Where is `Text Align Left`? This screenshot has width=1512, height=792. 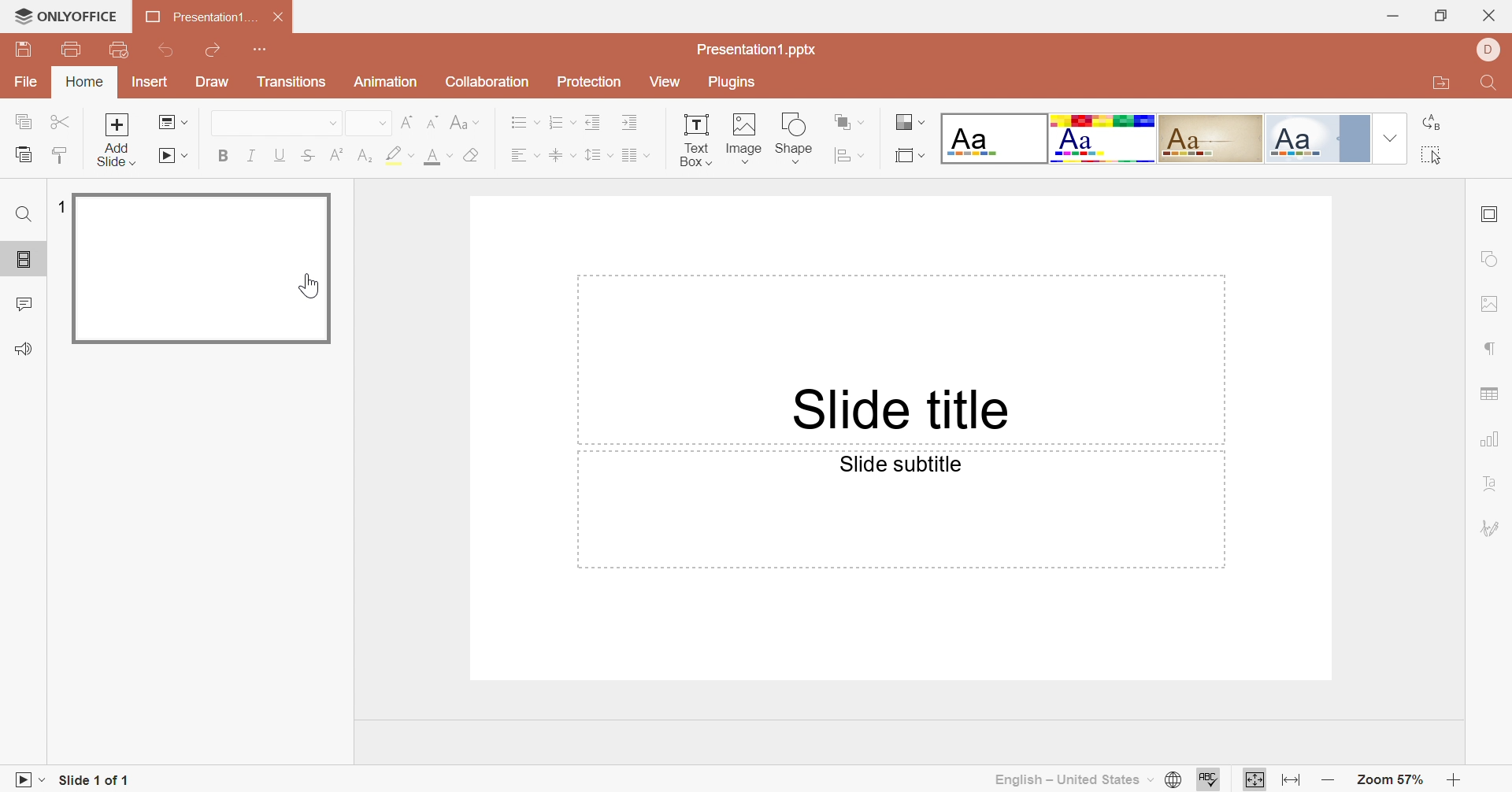 Text Align Left is located at coordinates (517, 157).